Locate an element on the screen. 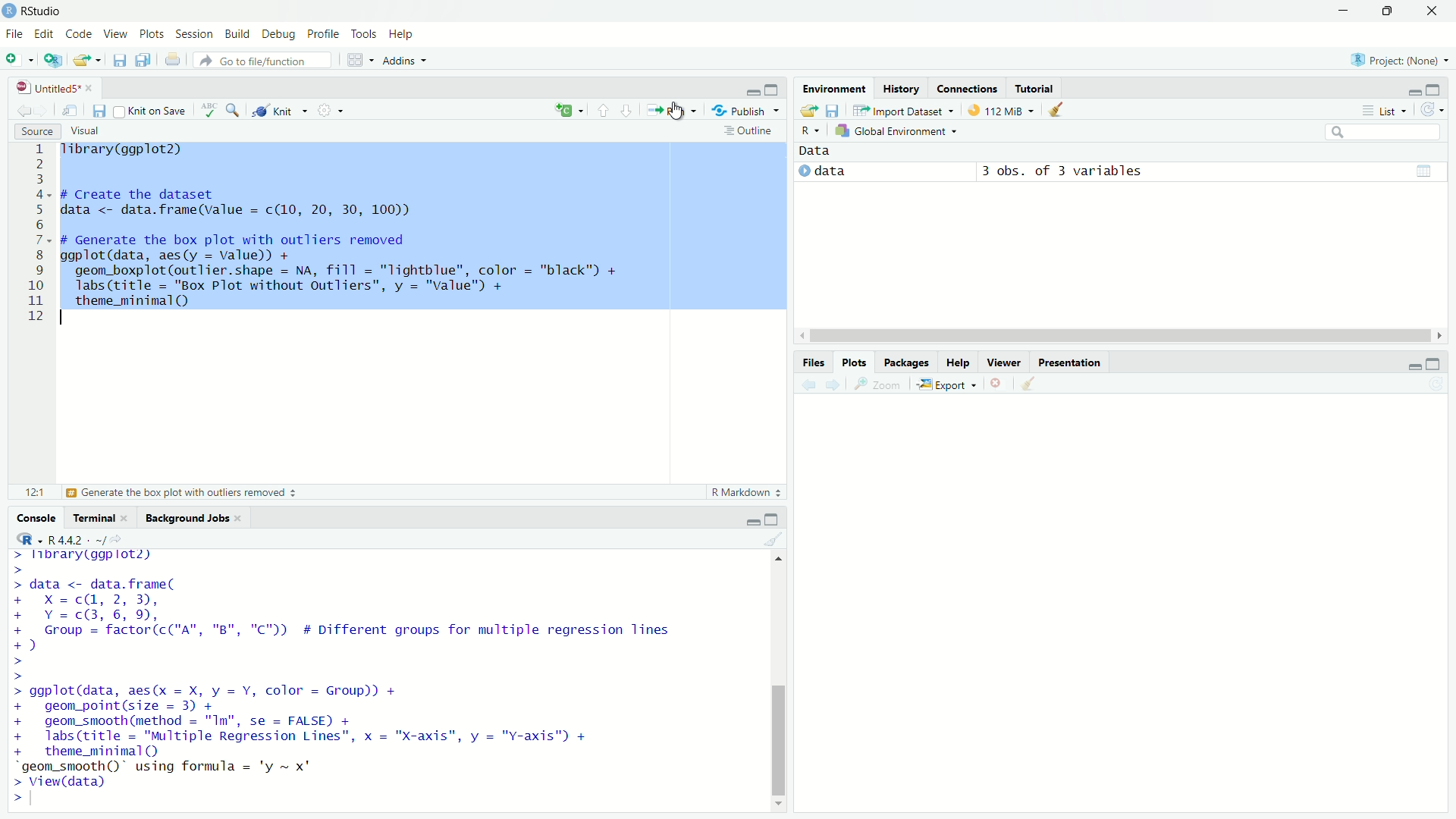 The width and height of the screenshot is (1456, 819). ** Run is located at coordinates (670, 113).